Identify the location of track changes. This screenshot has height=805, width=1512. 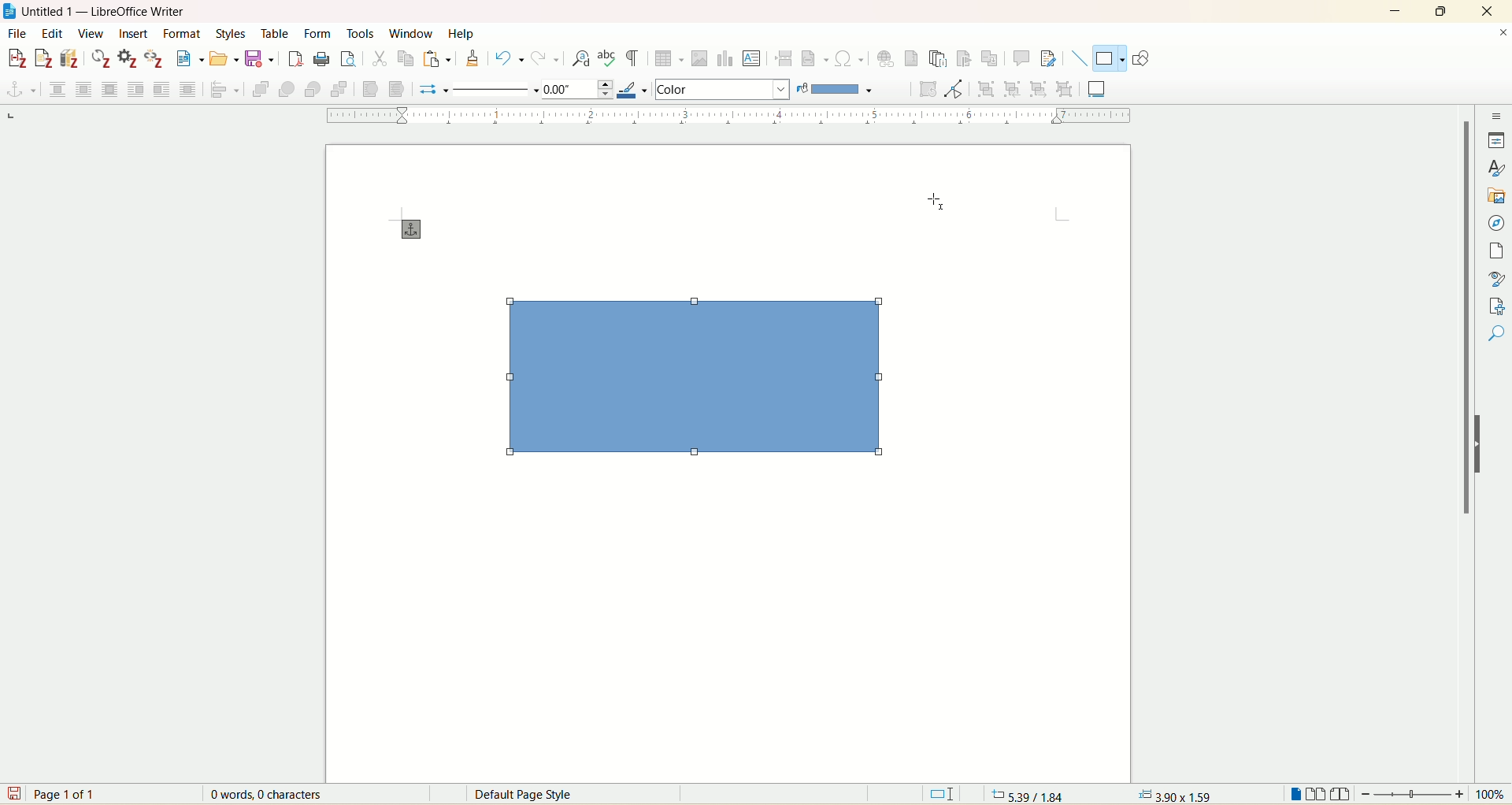
(1048, 57).